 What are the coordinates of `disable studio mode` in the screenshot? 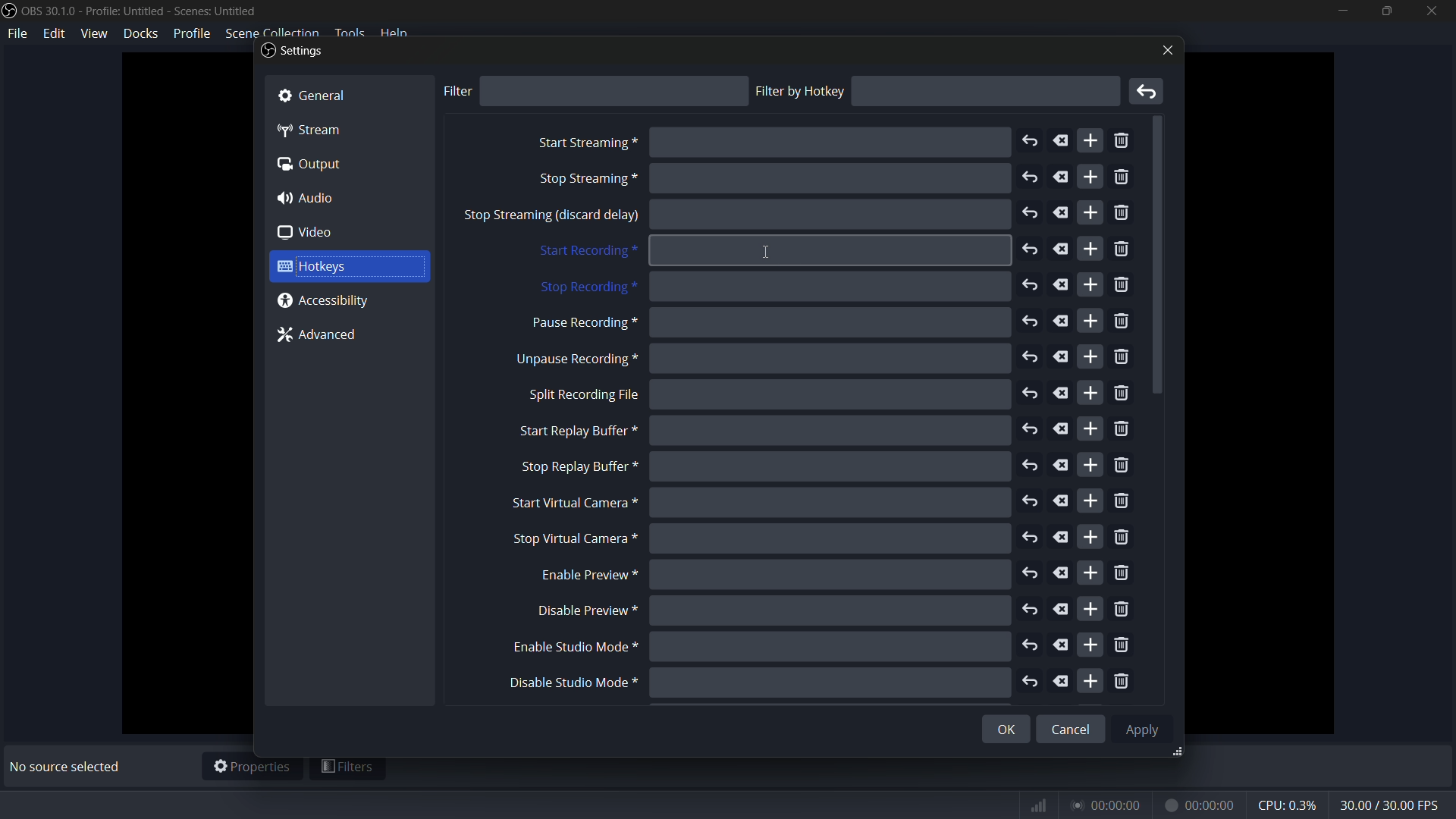 It's located at (571, 683).